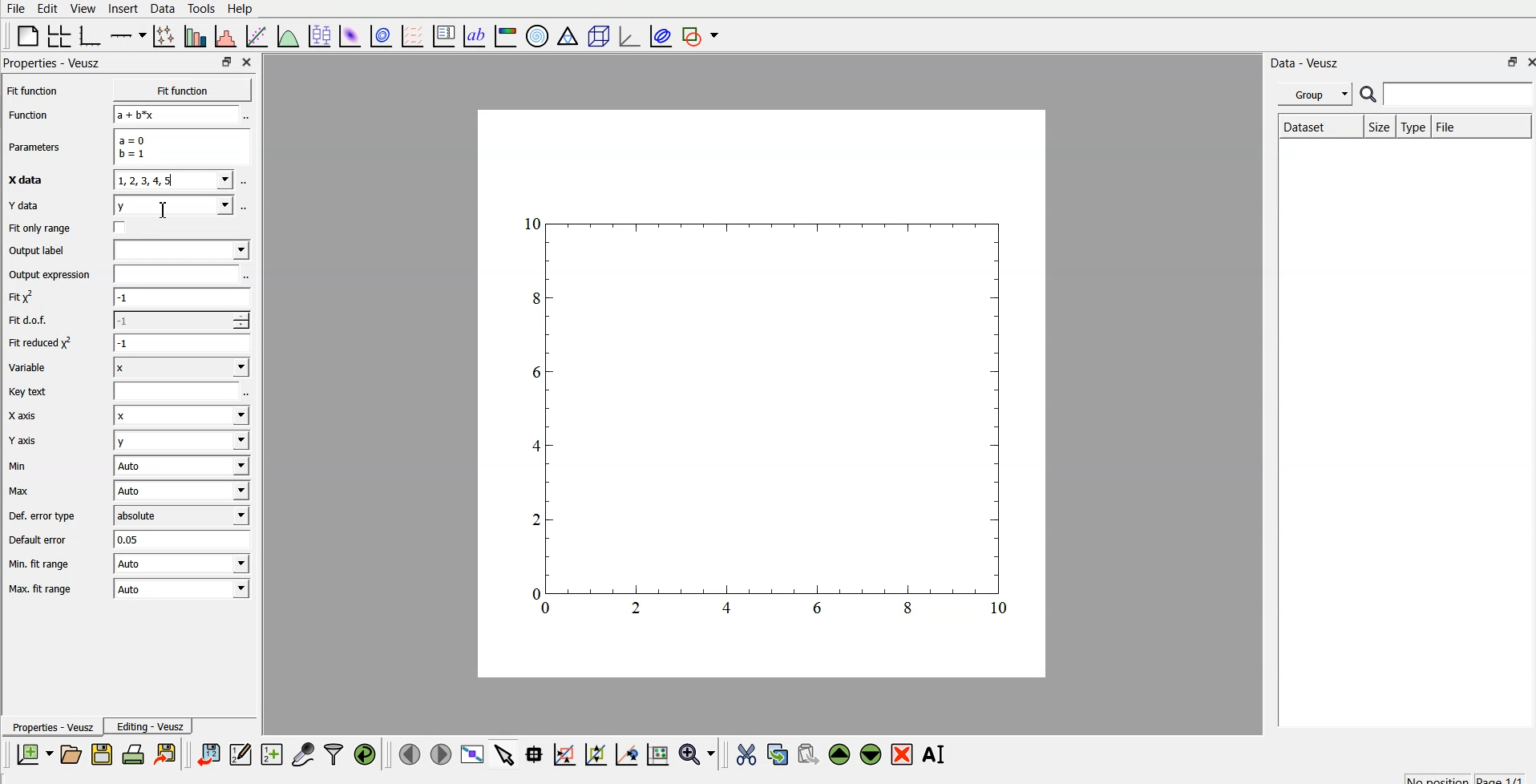 The height and width of the screenshot is (784, 1536). What do you see at coordinates (903, 755) in the screenshot?
I see `remove the selected widget` at bounding box center [903, 755].